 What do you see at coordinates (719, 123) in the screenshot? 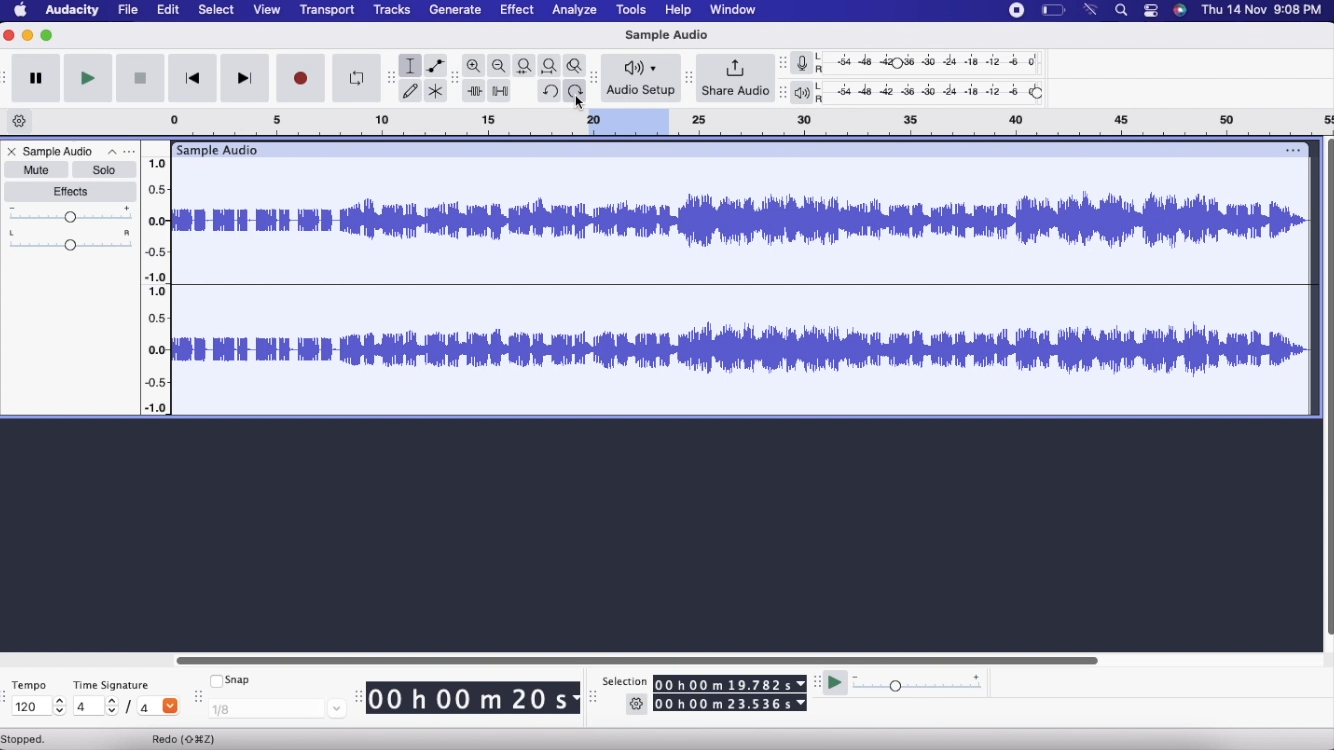
I see `Click and drag to define a looping region` at bounding box center [719, 123].